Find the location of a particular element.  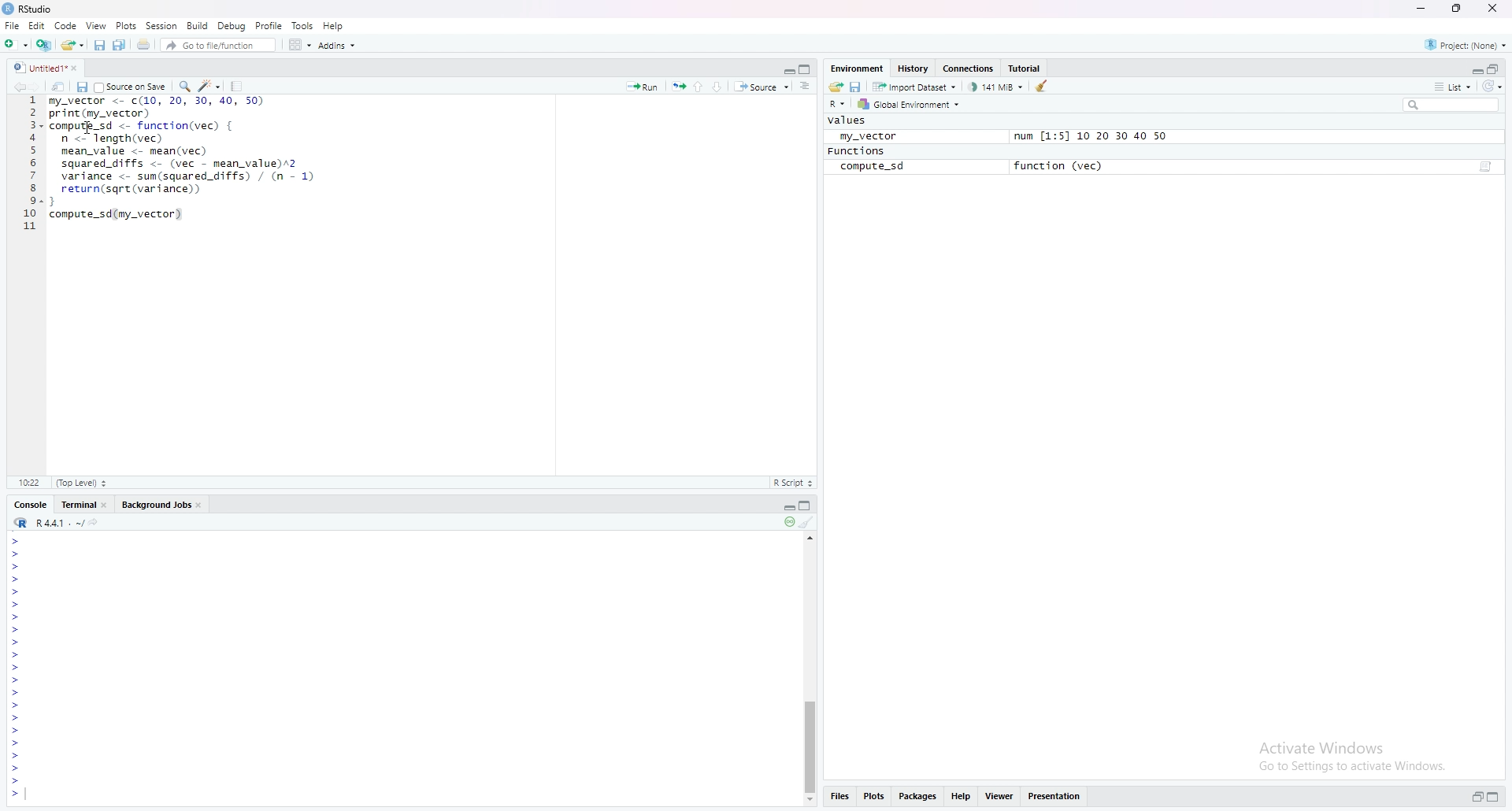

num [1:5] 10 20 30 40 50 is located at coordinates (1090, 137).